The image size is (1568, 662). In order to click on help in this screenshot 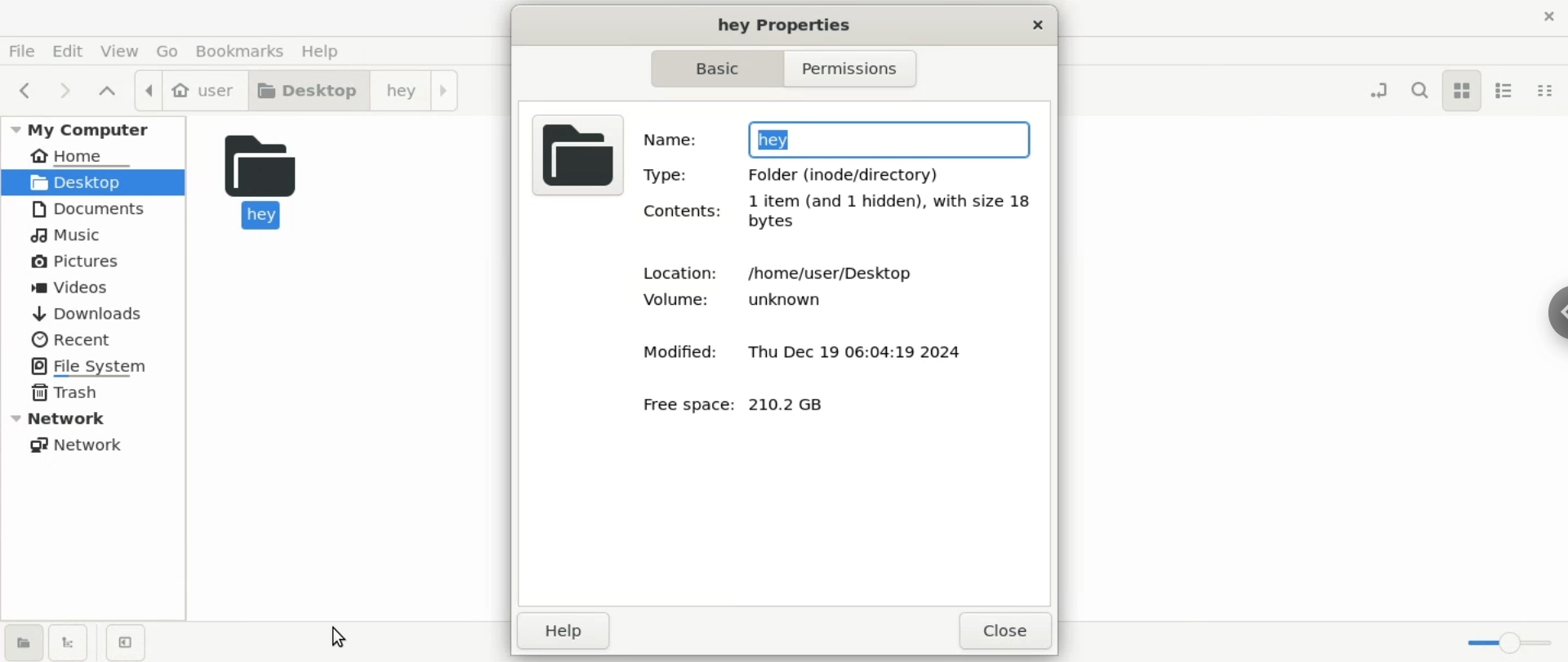, I will do `click(564, 630)`.